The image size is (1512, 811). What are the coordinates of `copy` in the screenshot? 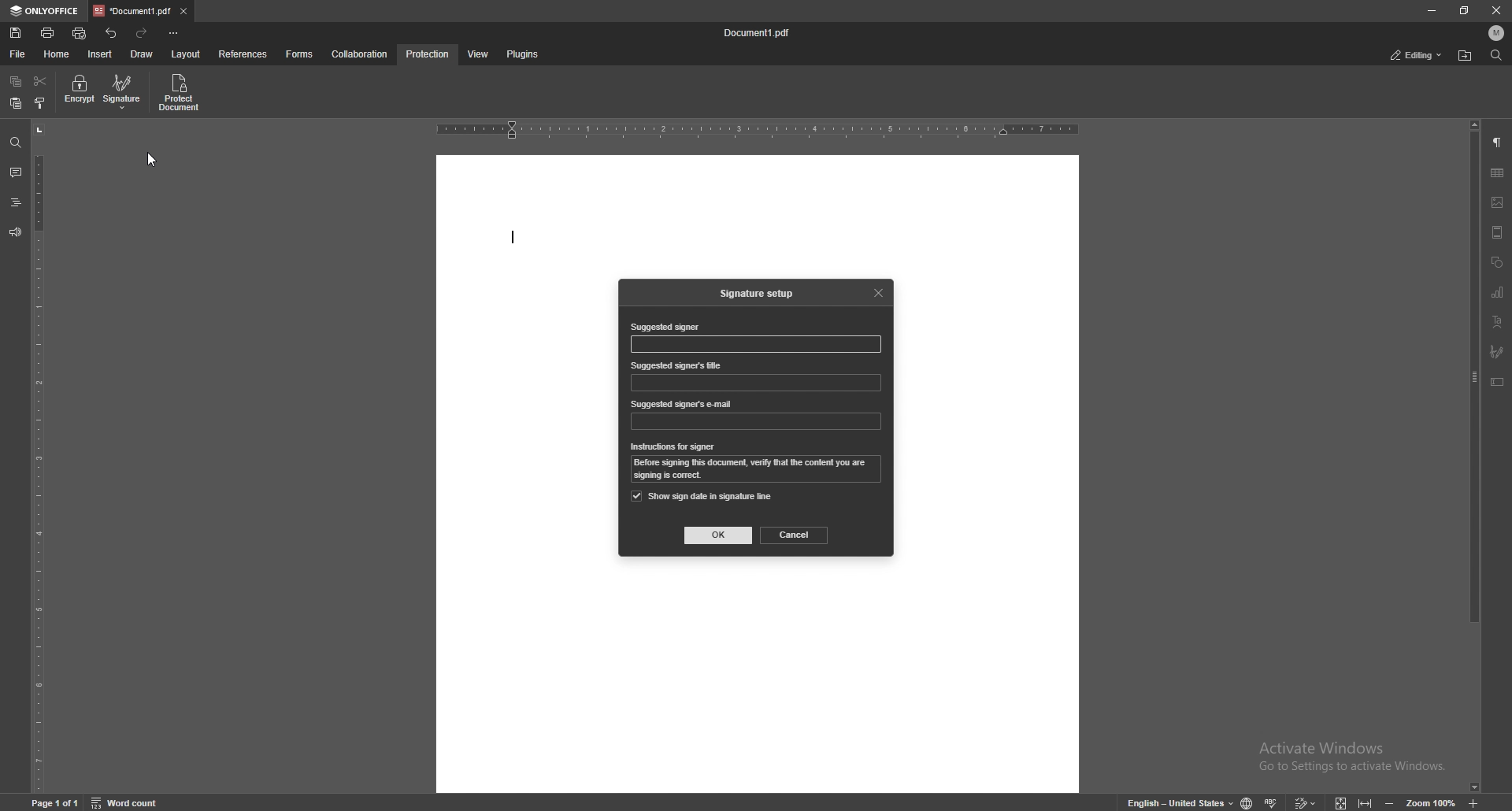 It's located at (16, 82).